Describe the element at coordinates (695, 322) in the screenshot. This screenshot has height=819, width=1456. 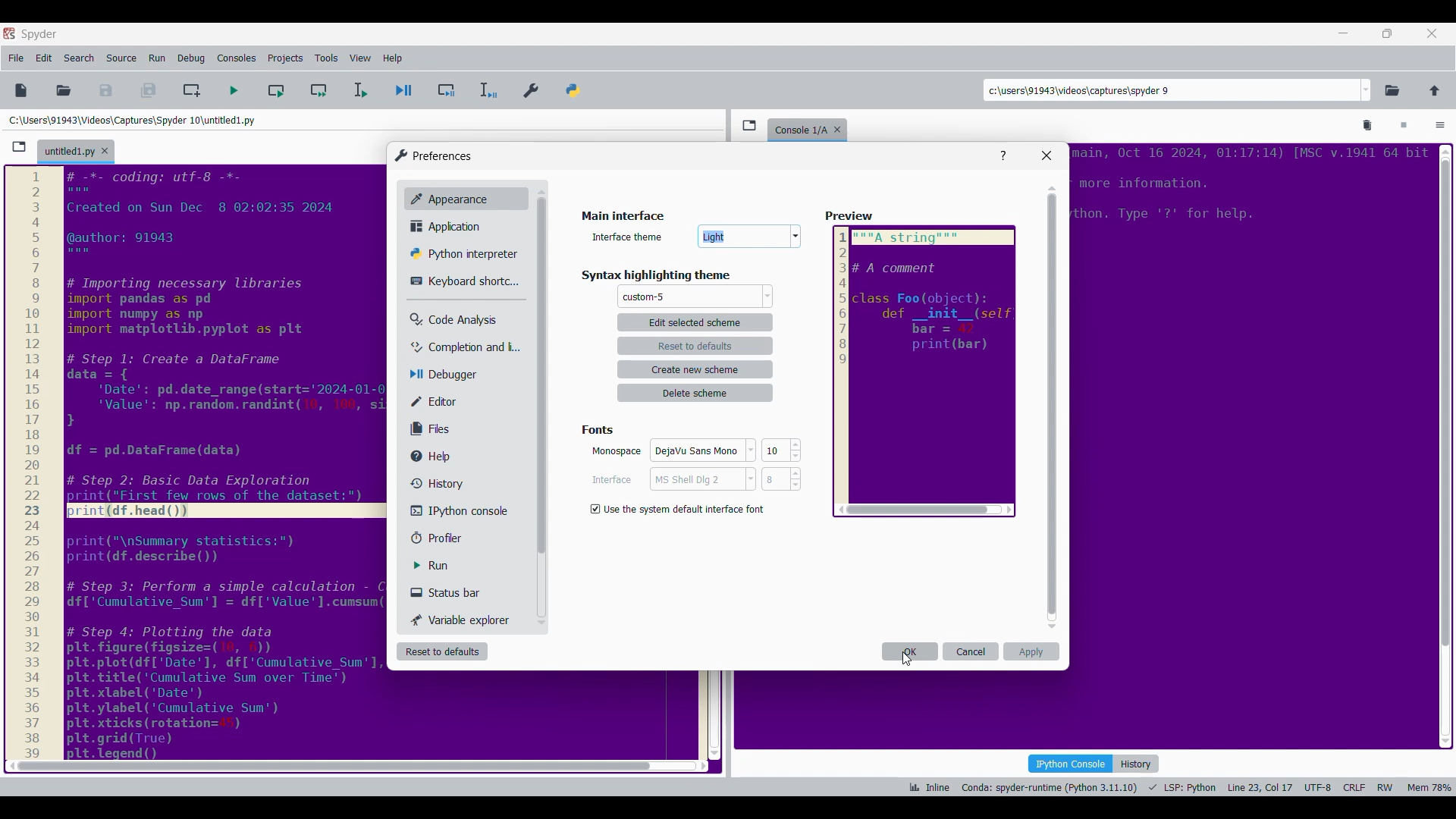
I see `edit selected scheme` at that location.